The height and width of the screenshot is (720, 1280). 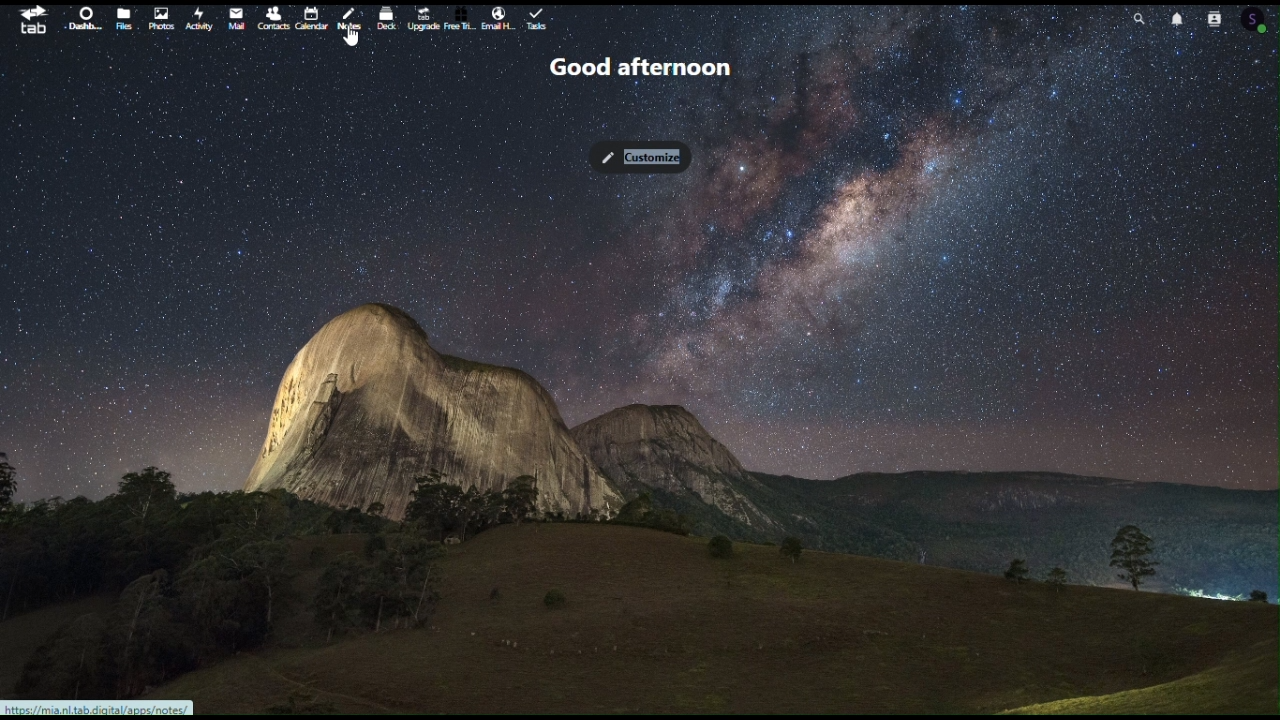 I want to click on Text, so click(x=636, y=64).